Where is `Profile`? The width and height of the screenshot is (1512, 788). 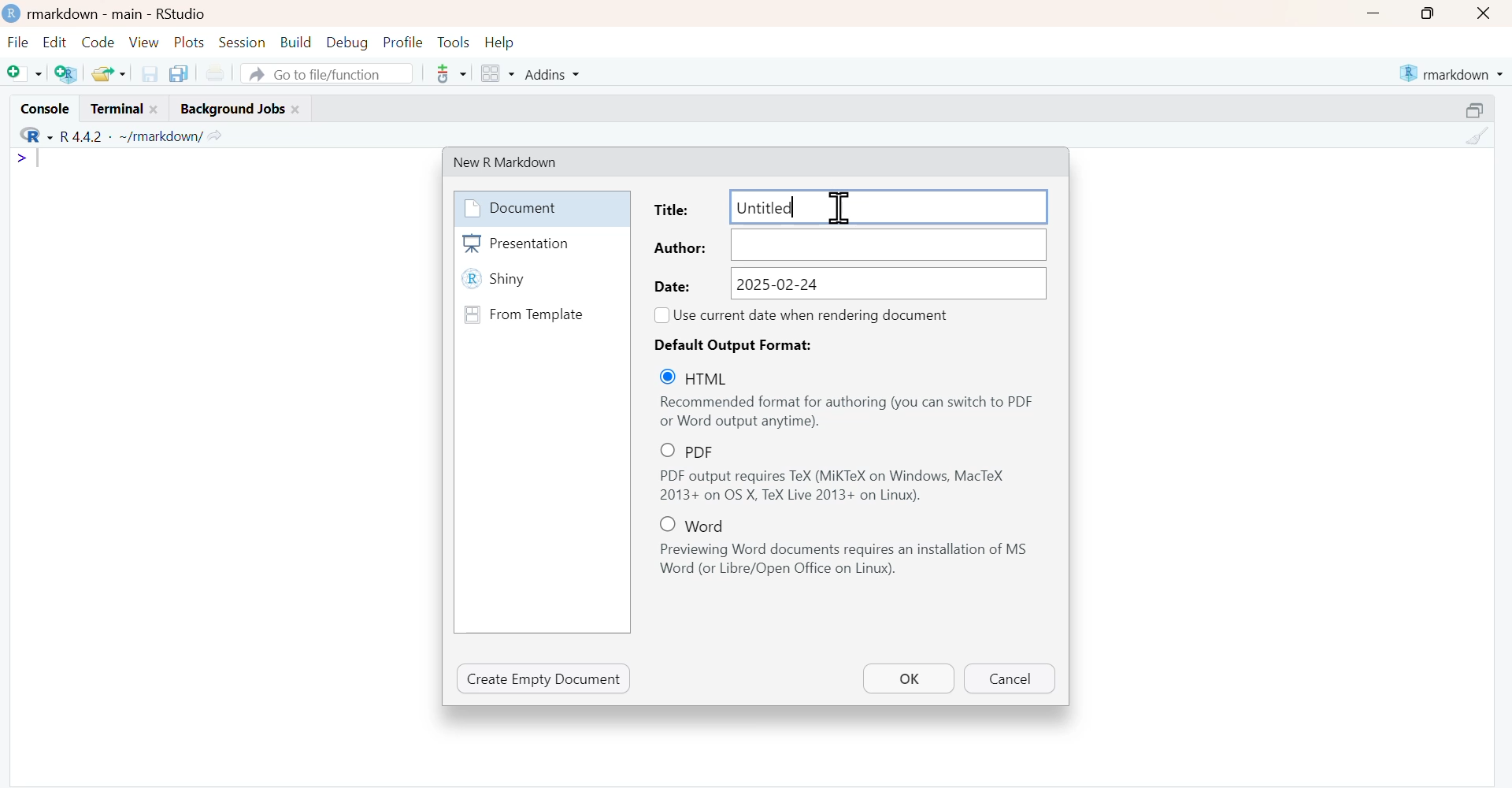 Profile is located at coordinates (402, 43).